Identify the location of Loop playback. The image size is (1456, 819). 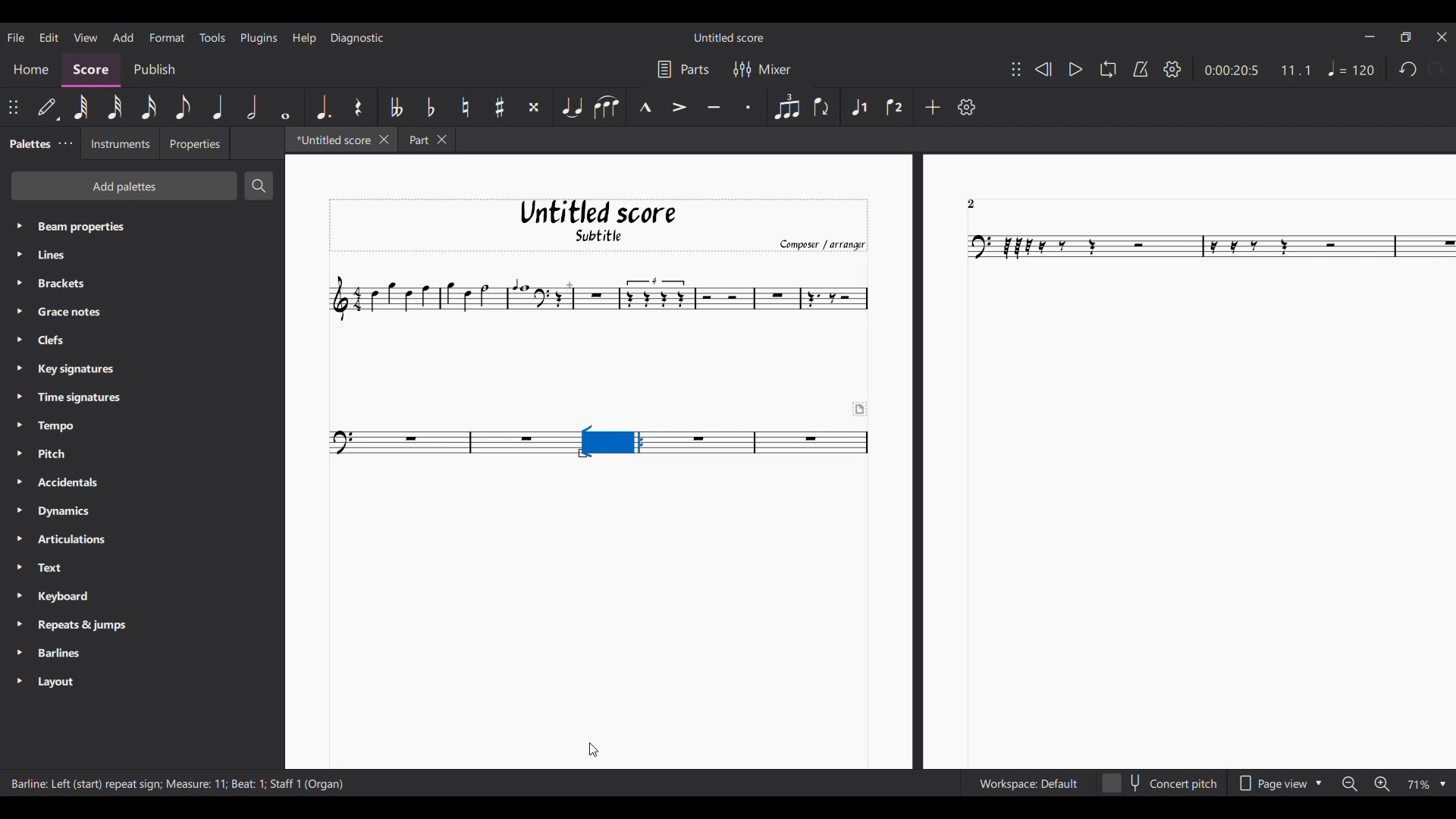
(1108, 69).